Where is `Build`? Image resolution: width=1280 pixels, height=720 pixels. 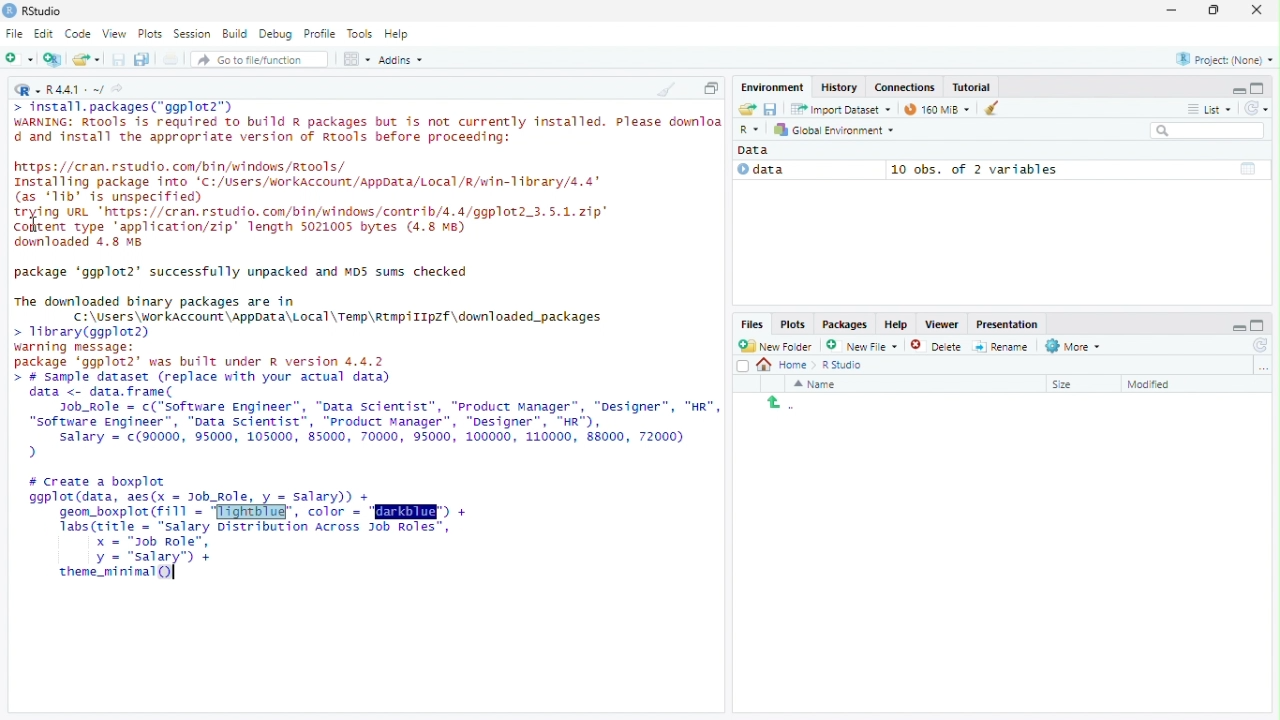
Build is located at coordinates (237, 34).